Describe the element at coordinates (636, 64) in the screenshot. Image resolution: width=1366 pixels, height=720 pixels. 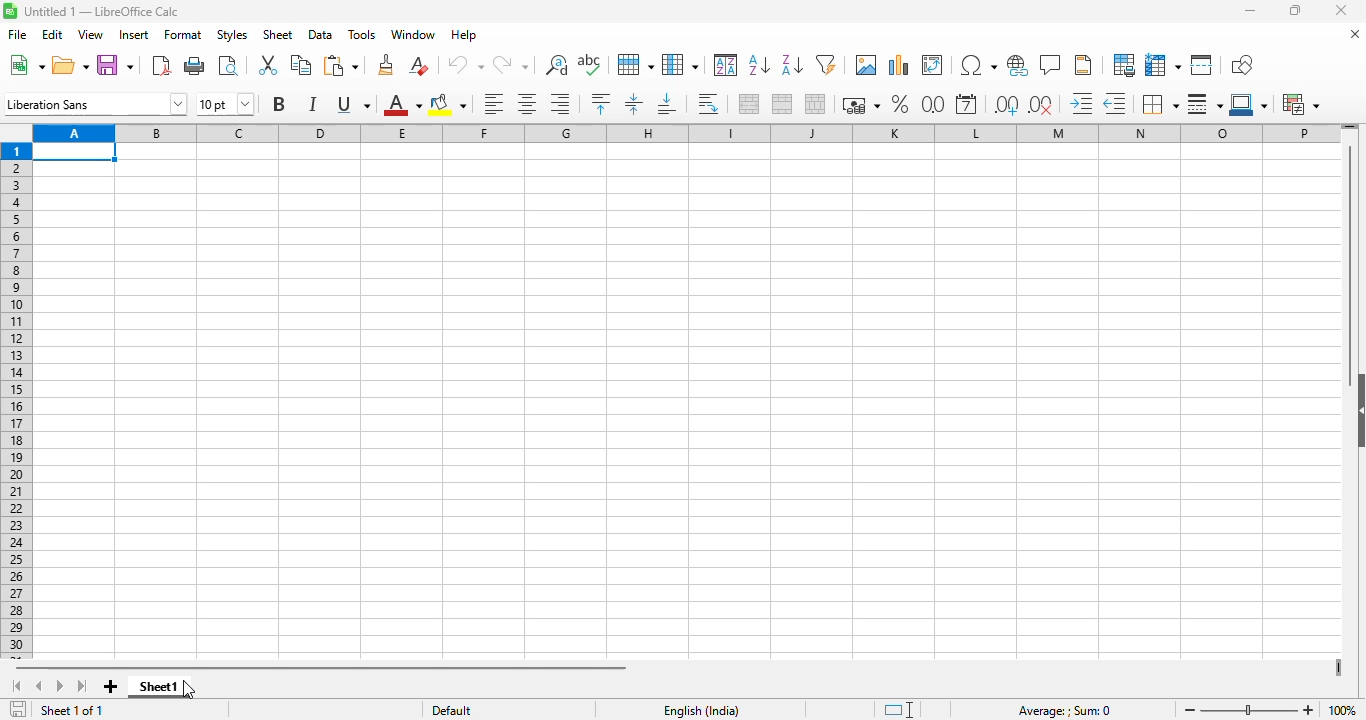
I see `row` at that location.